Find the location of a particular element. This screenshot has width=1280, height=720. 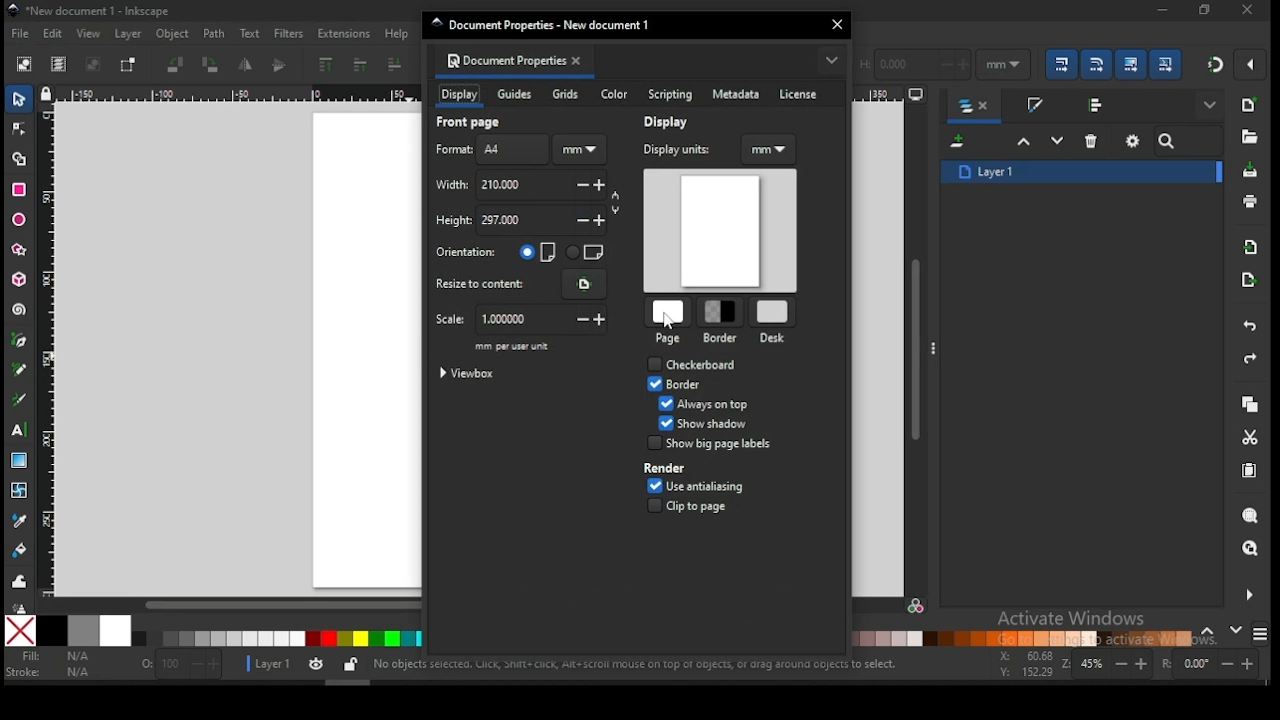

black is located at coordinates (52, 631).